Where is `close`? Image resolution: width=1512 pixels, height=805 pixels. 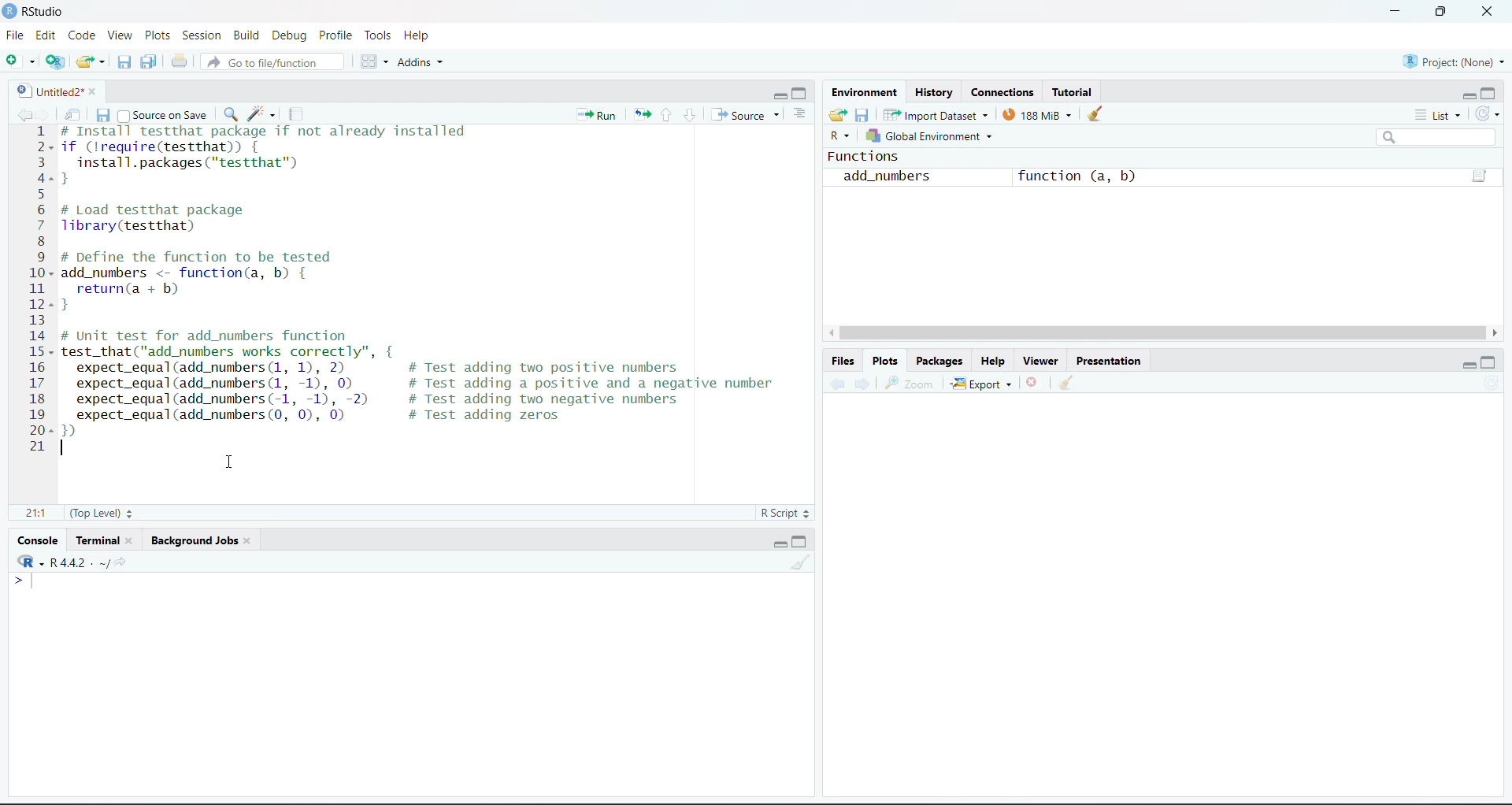
close is located at coordinates (249, 539).